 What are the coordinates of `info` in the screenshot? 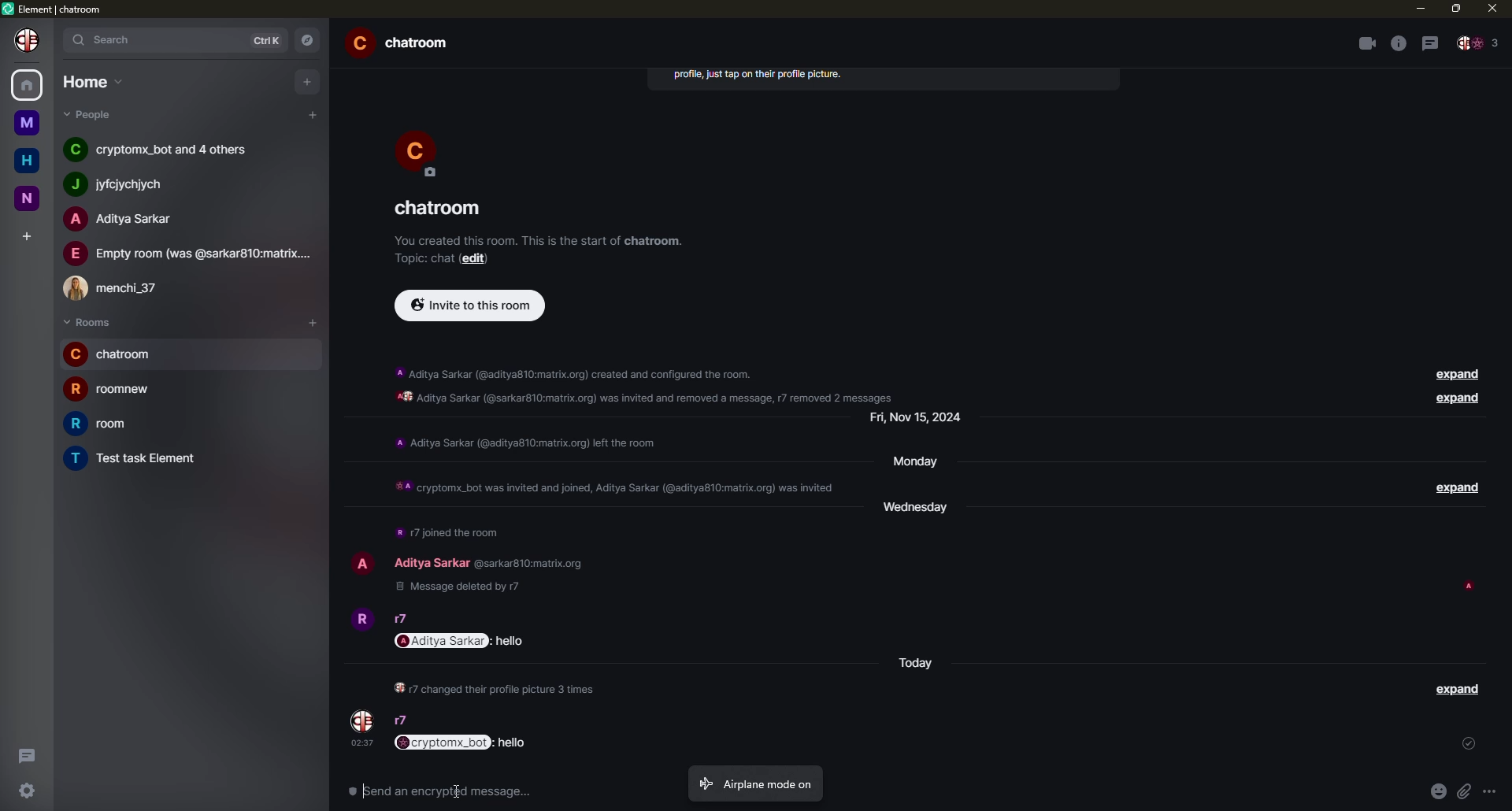 It's located at (757, 76).